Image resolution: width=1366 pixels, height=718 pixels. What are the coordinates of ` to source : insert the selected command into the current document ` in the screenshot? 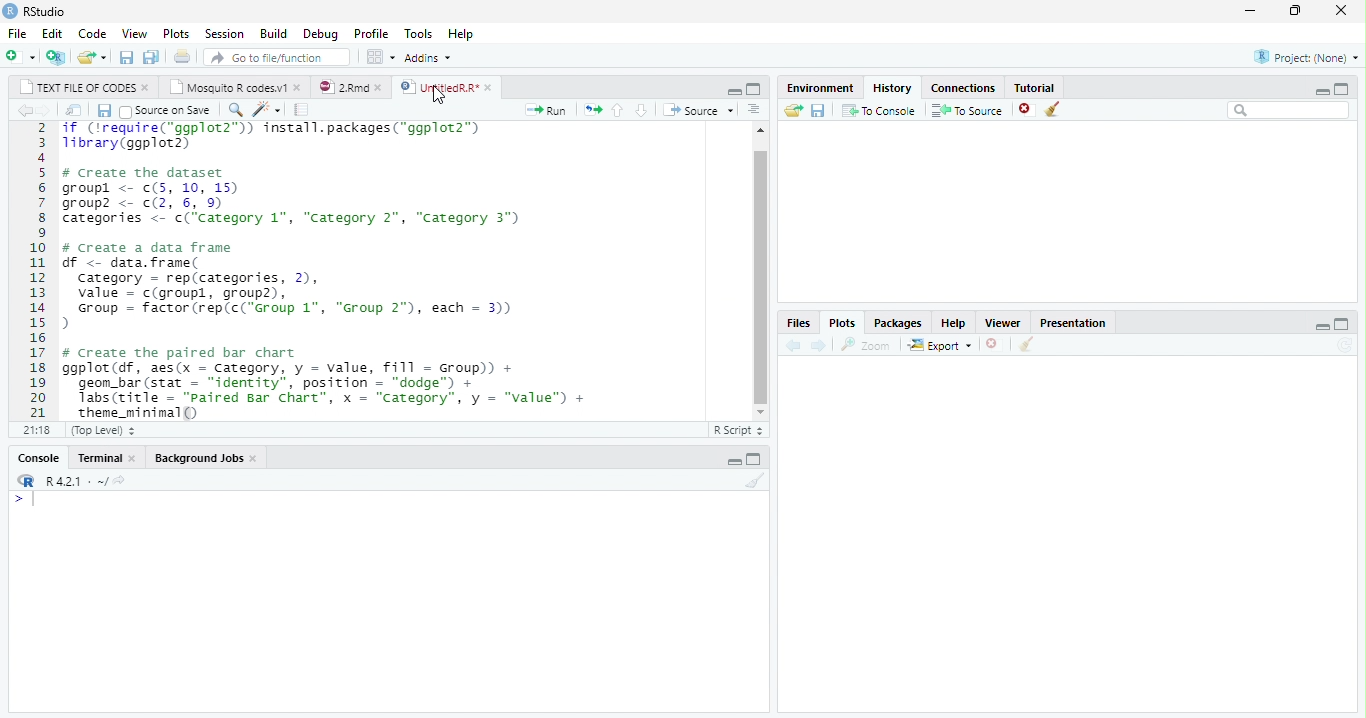 It's located at (964, 110).